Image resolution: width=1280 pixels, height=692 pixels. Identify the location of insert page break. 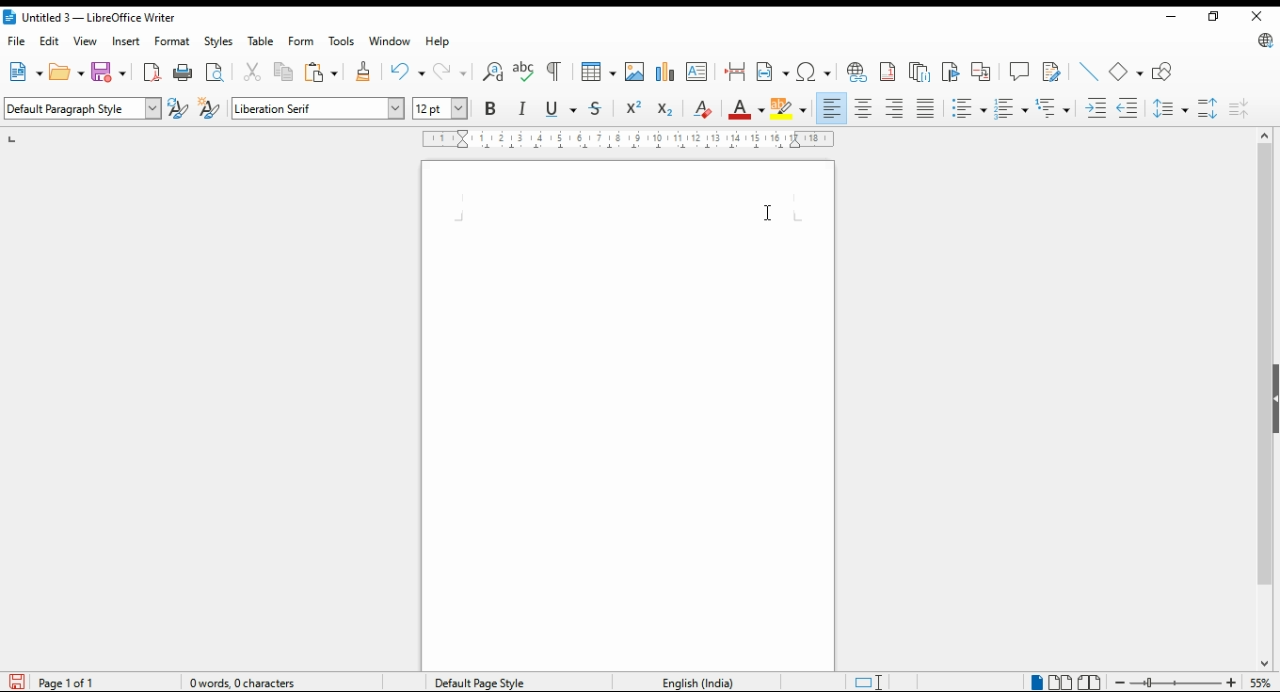
(737, 72).